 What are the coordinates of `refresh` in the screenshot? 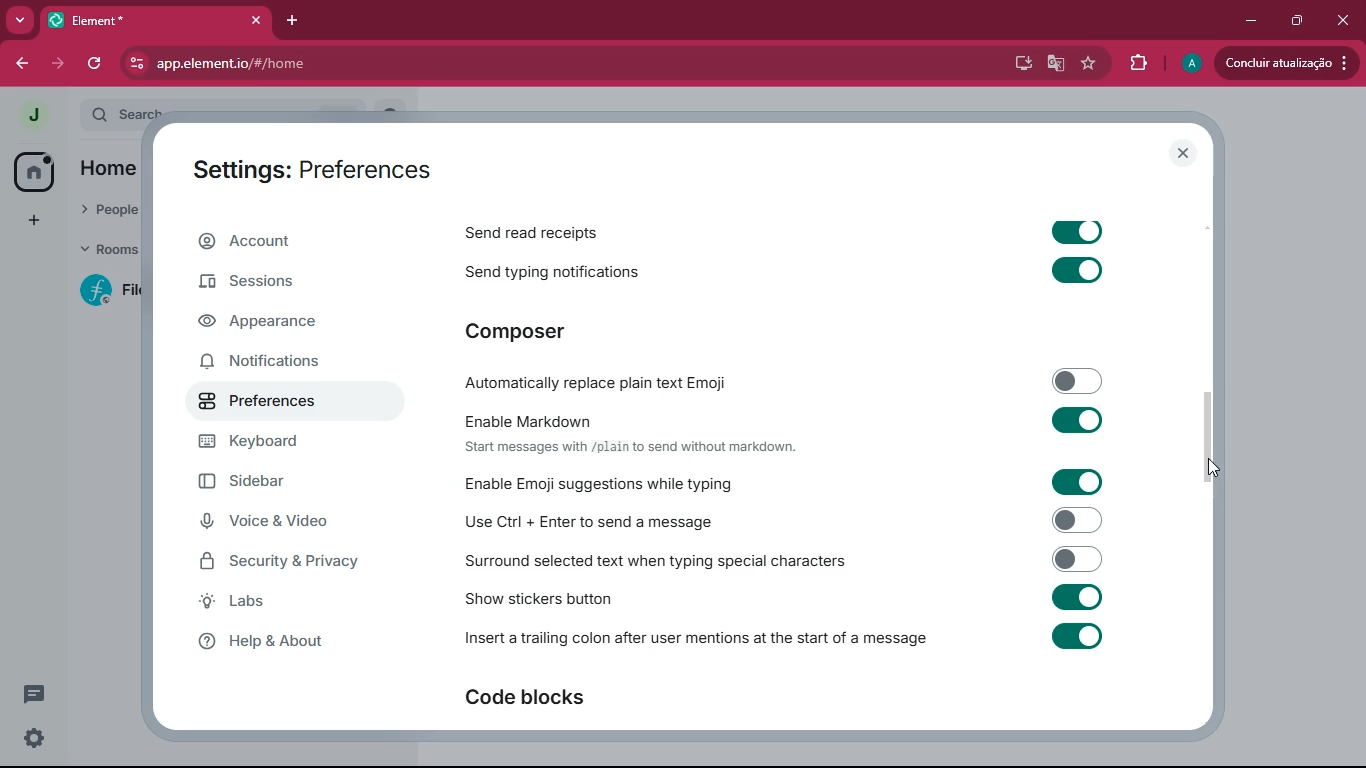 It's located at (102, 63).